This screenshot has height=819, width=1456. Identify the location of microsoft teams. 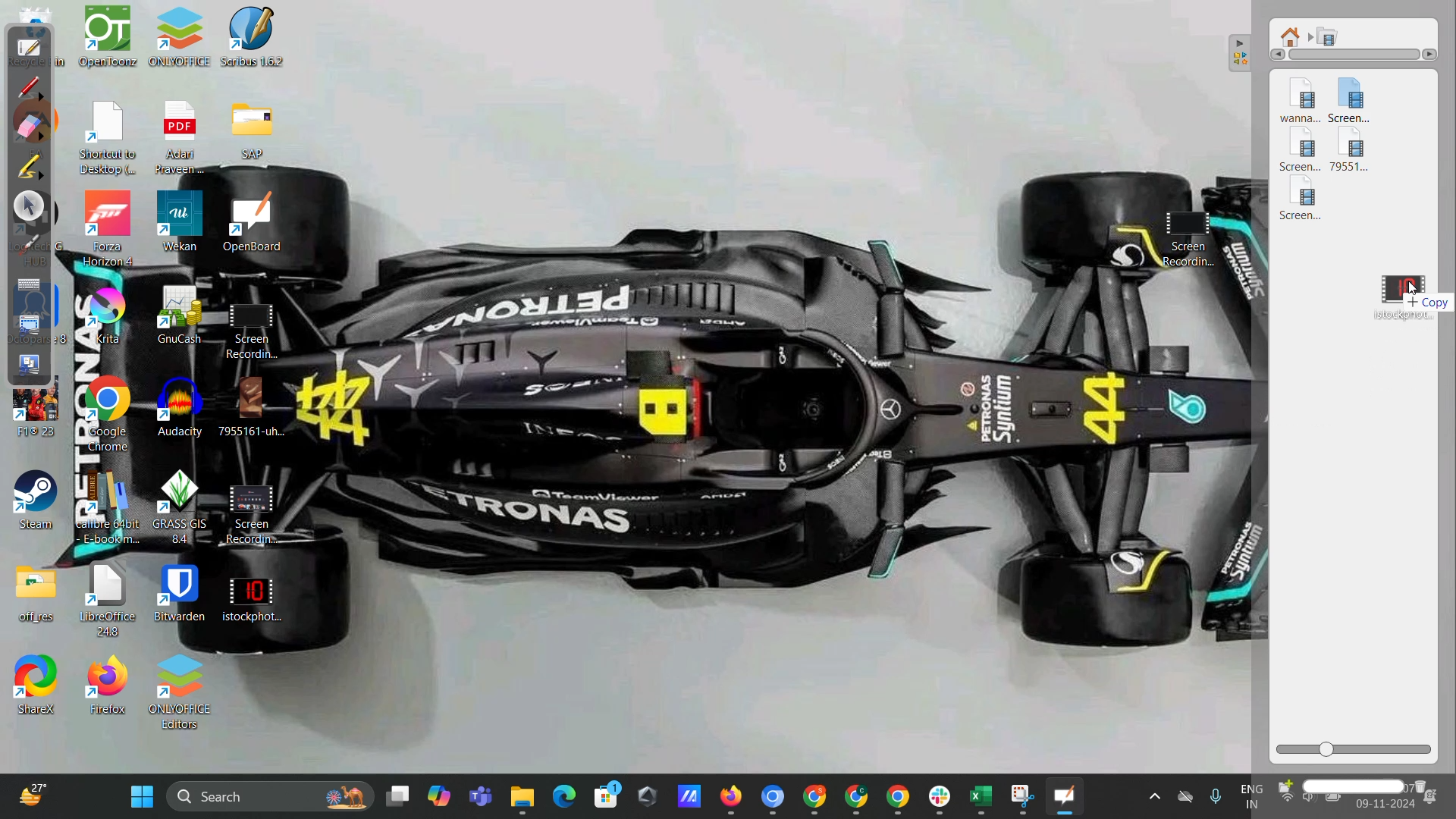
(476, 799).